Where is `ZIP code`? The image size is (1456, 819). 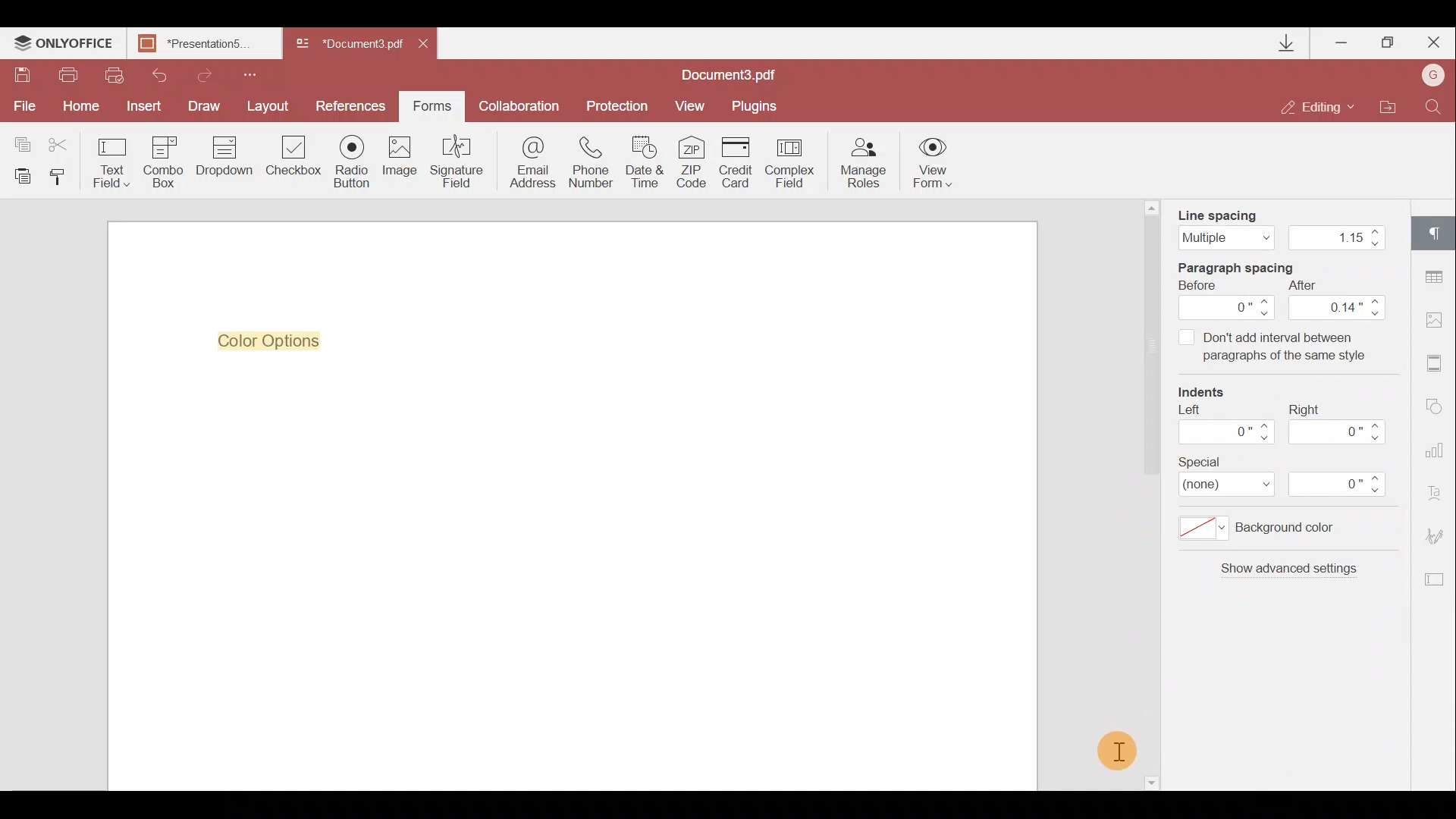 ZIP code is located at coordinates (695, 162).